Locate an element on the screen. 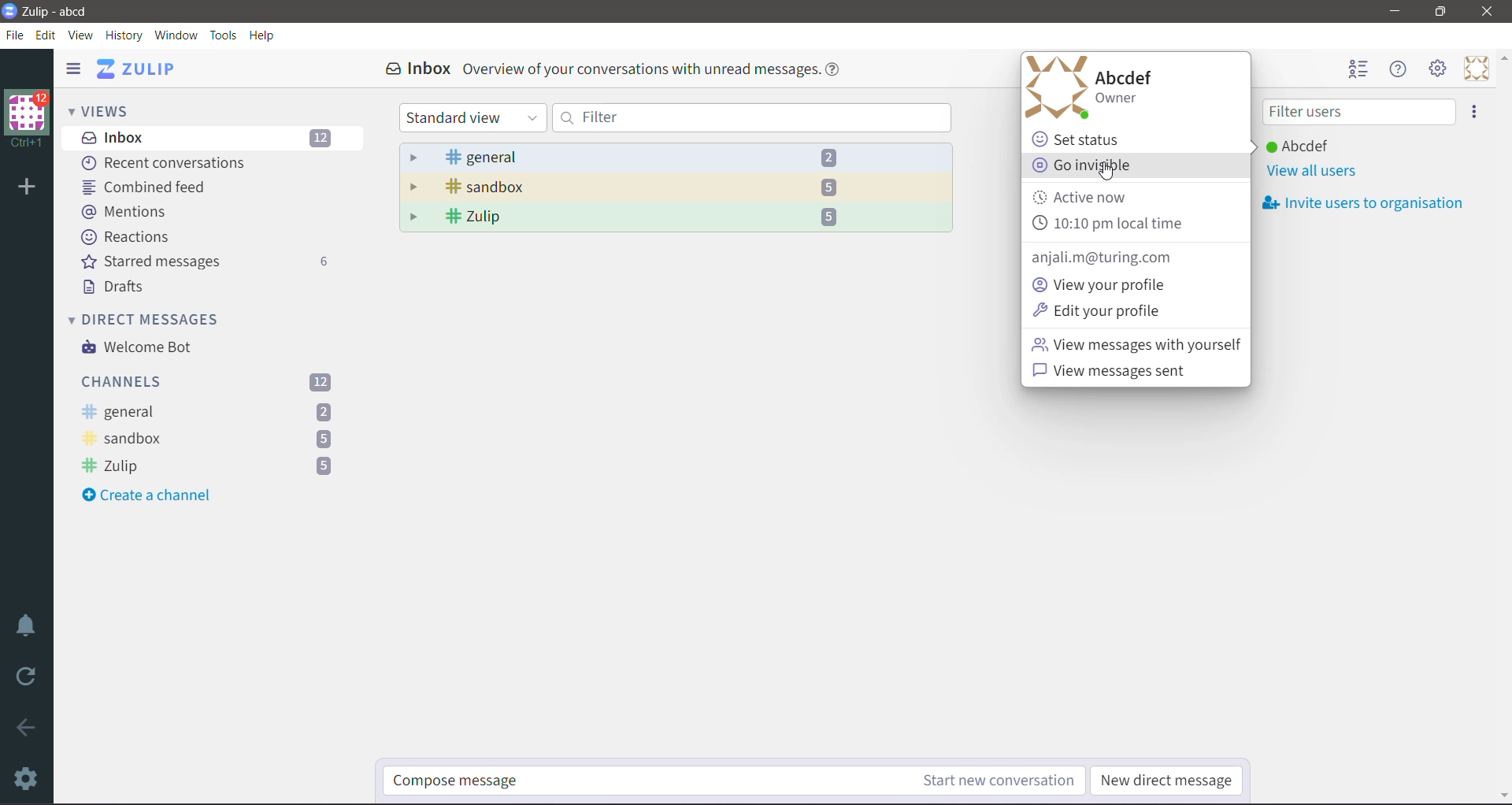  Create a channel is located at coordinates (153, 497).